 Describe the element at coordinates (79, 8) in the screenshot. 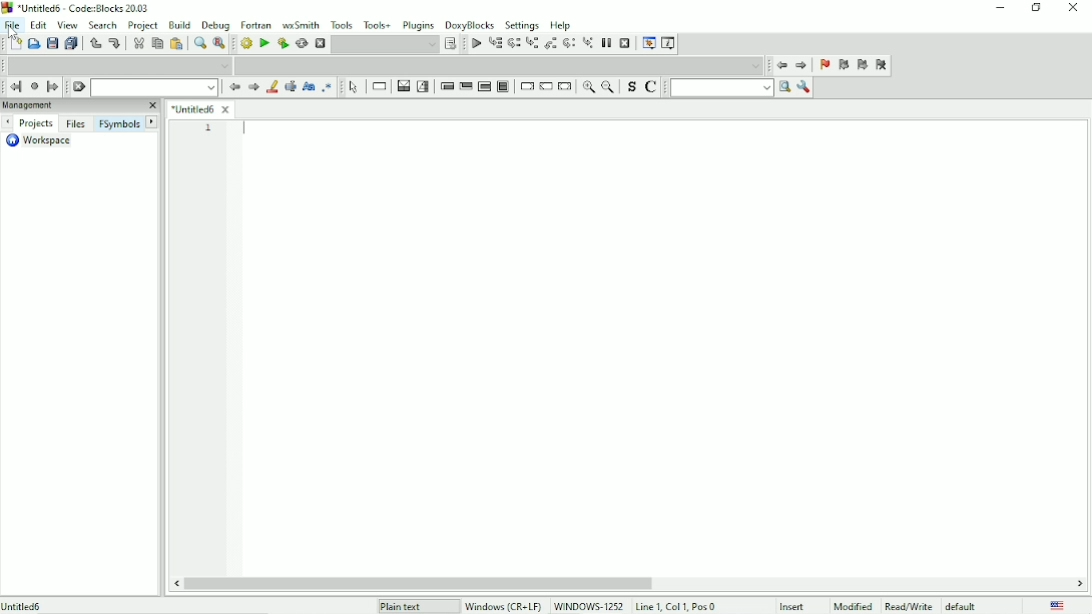

I see `Title` at that location.